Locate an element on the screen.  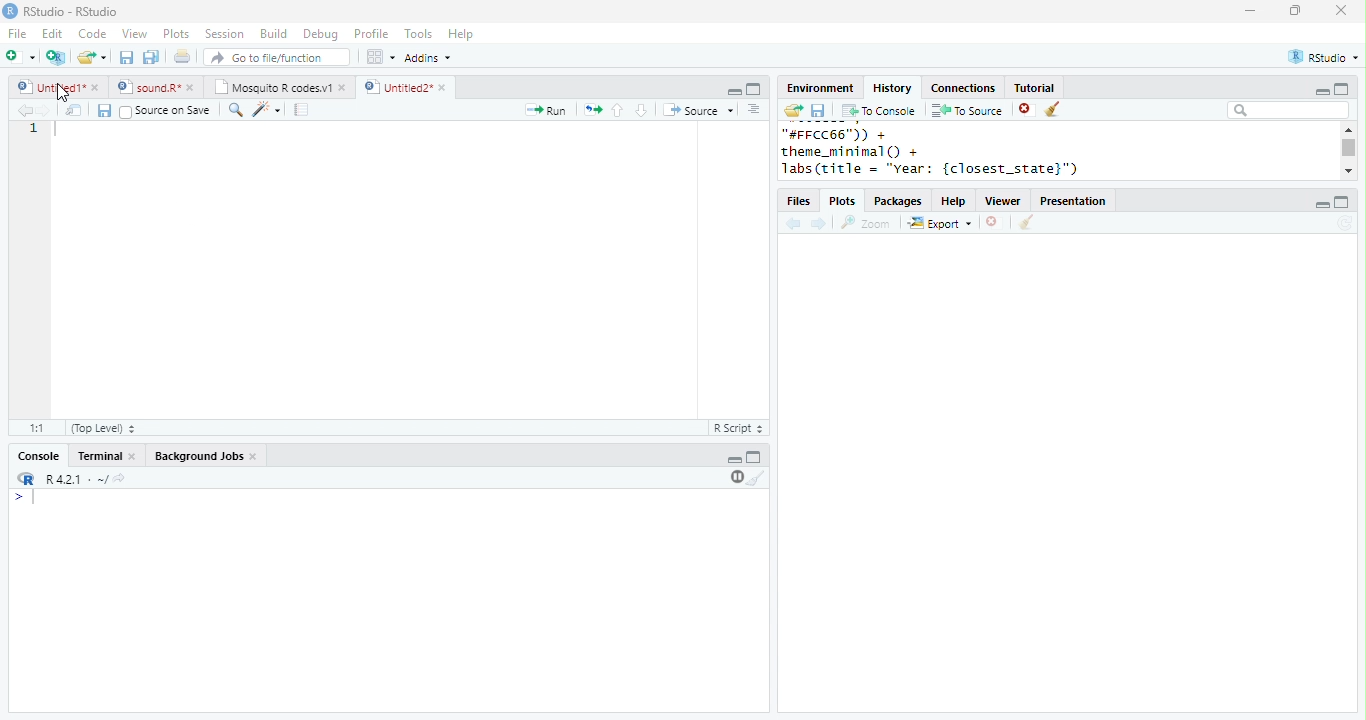
save is located at coordinates (104, 110).